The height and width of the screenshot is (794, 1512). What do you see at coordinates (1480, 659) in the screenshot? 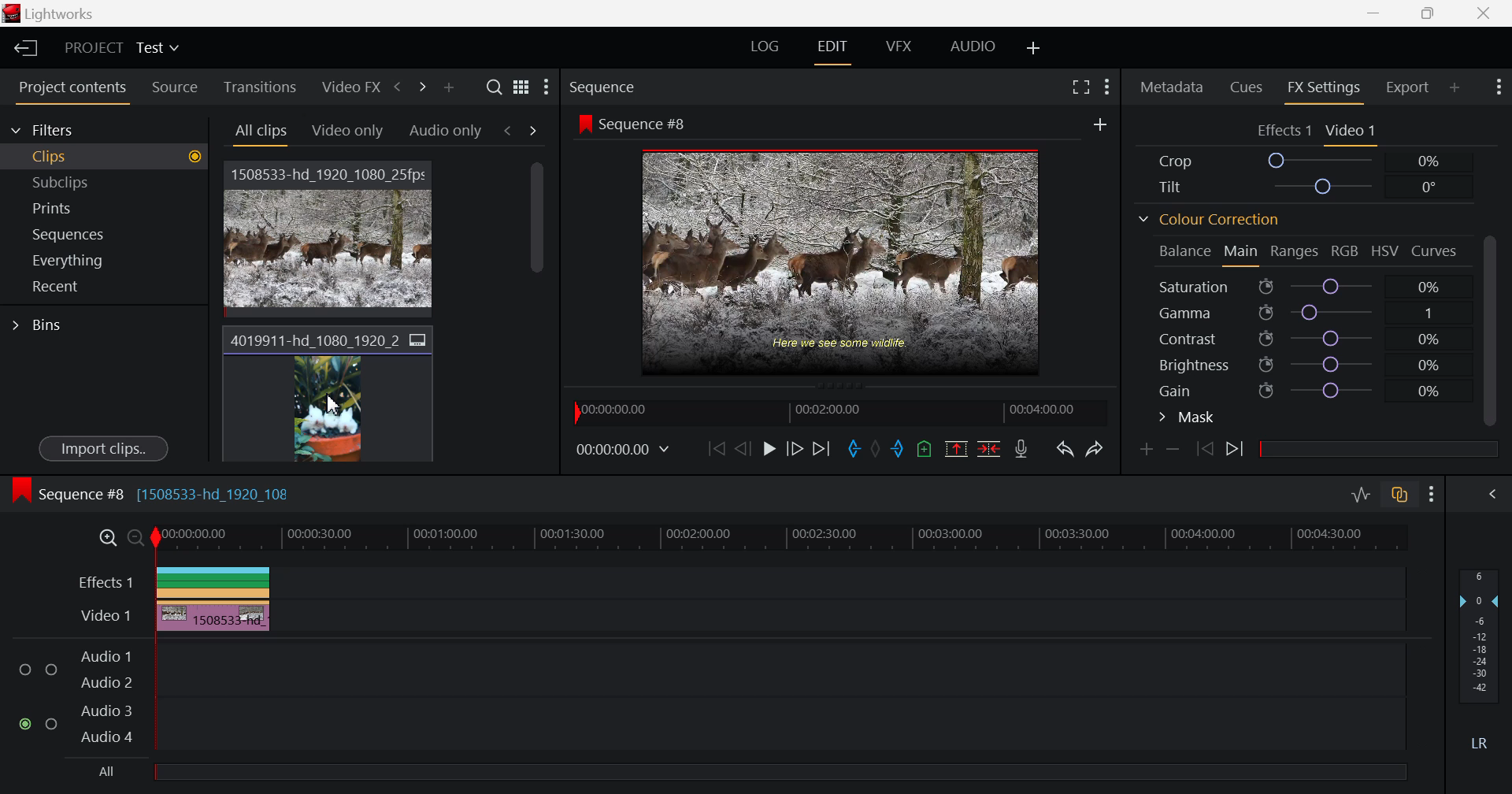
I see `Decibel Level` at bounding box center [1480, 659].